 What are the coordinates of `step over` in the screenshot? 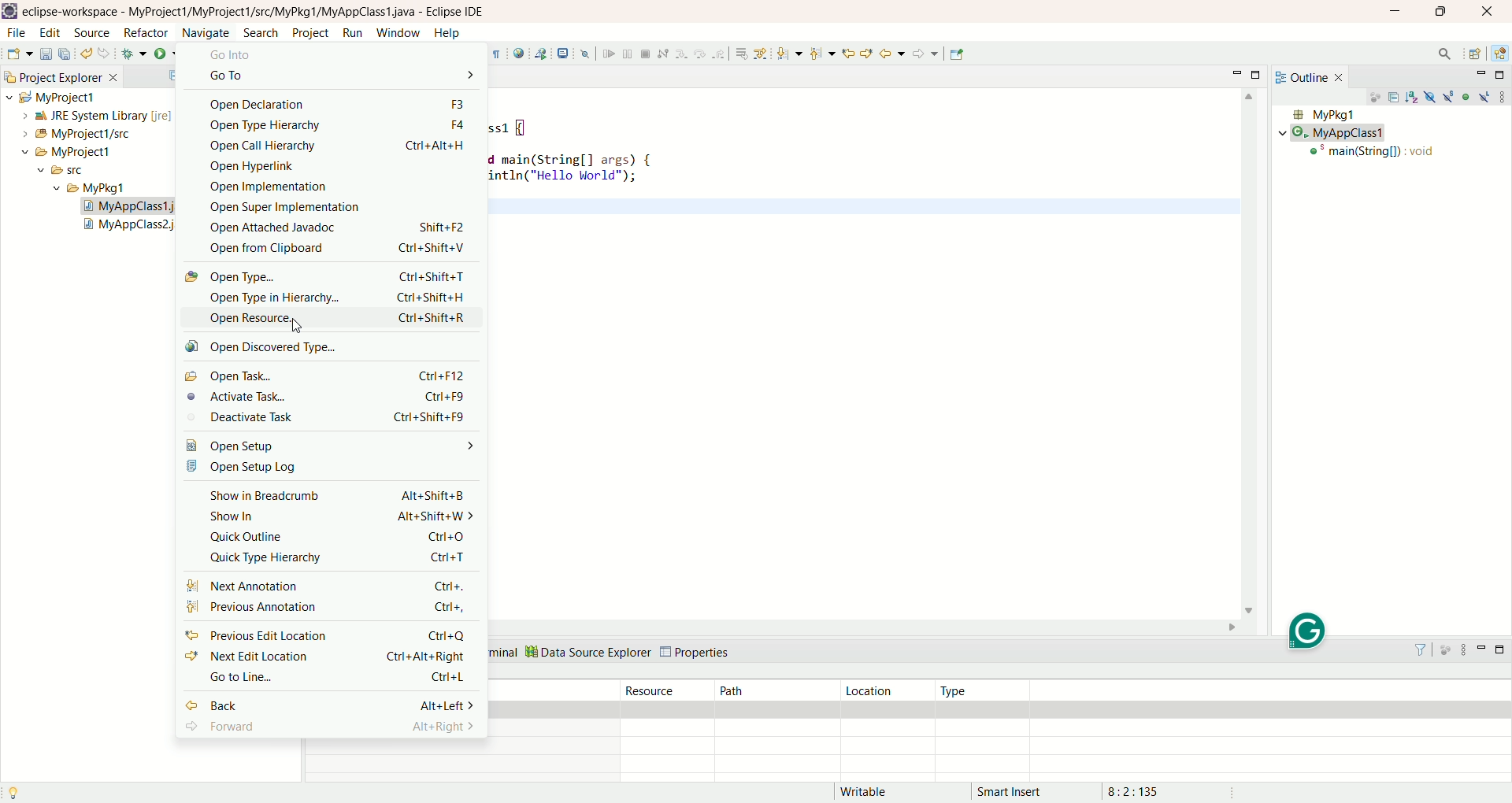 It's located at (701, 55).